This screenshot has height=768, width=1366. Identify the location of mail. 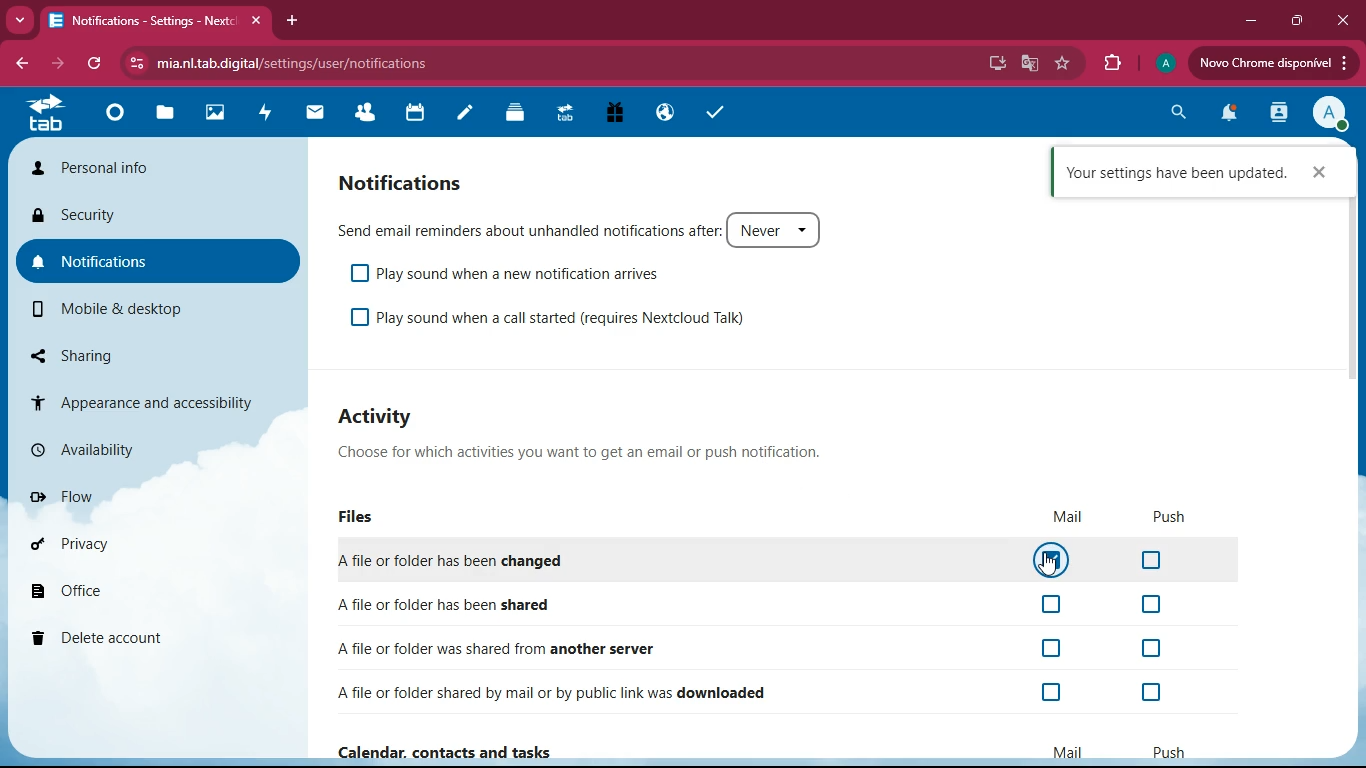
(1068, 517).